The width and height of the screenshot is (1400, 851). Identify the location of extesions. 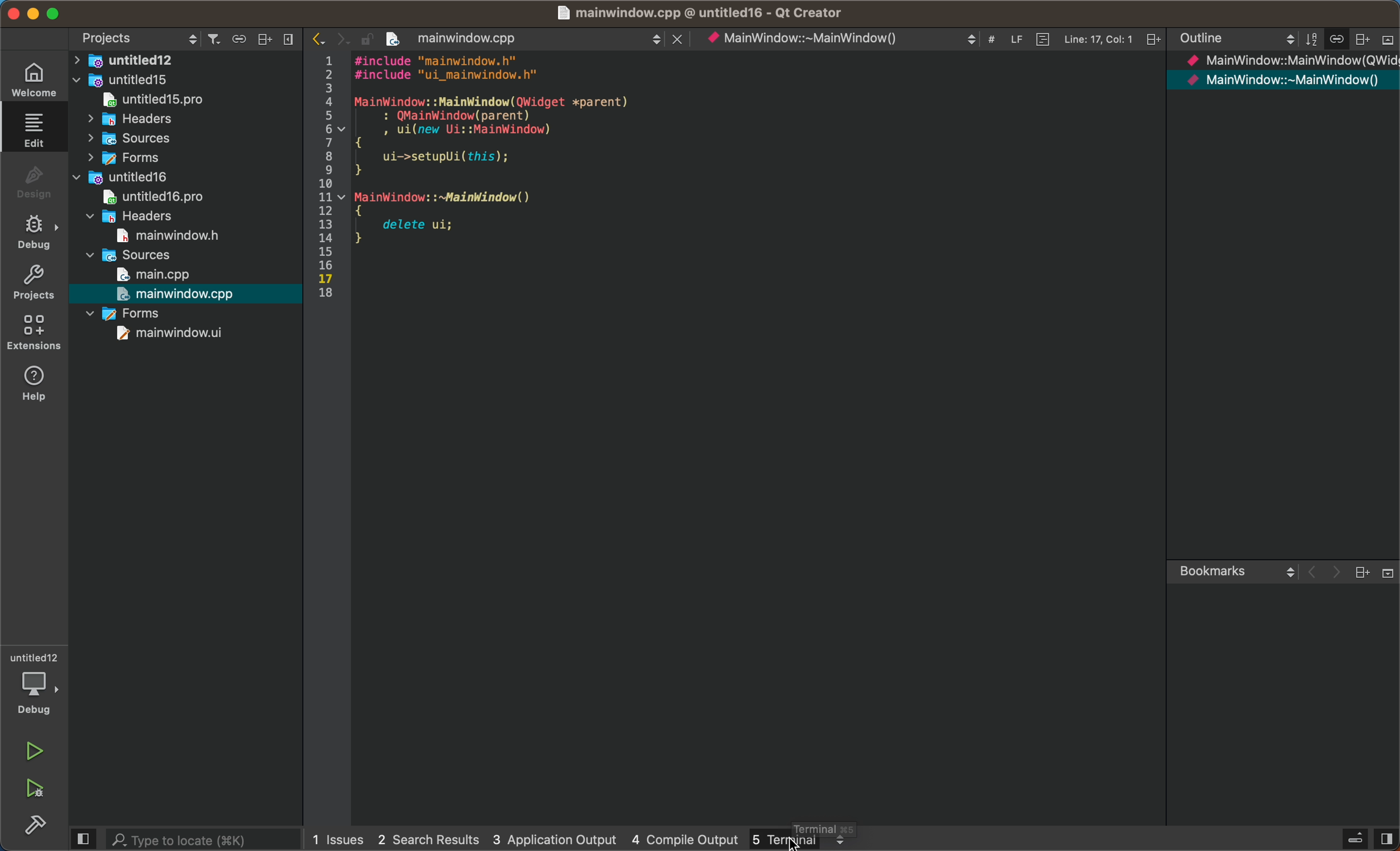
(35, 334).